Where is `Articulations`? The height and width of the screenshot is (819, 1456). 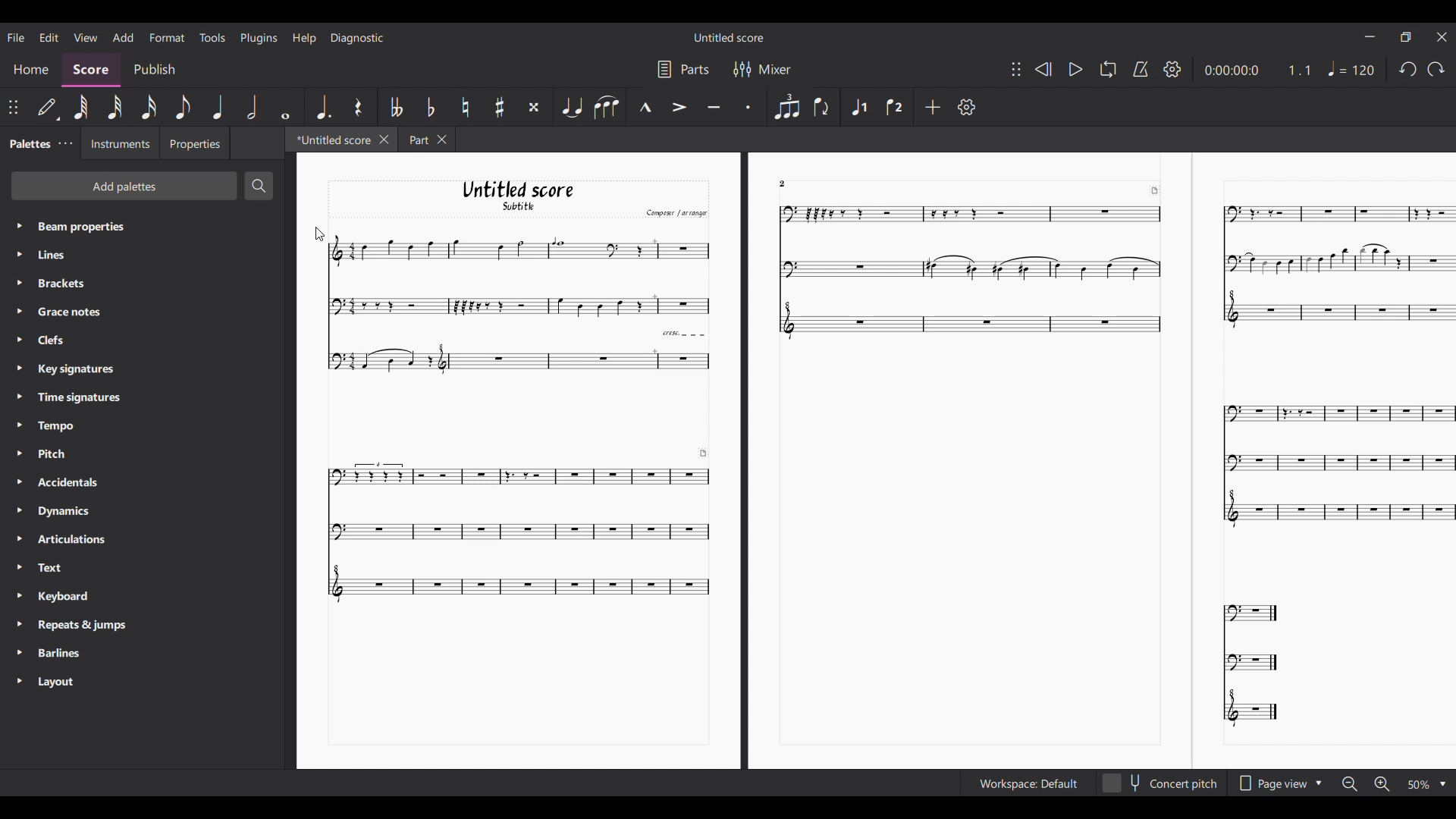
Articulations is located at coordinates (76, 538).